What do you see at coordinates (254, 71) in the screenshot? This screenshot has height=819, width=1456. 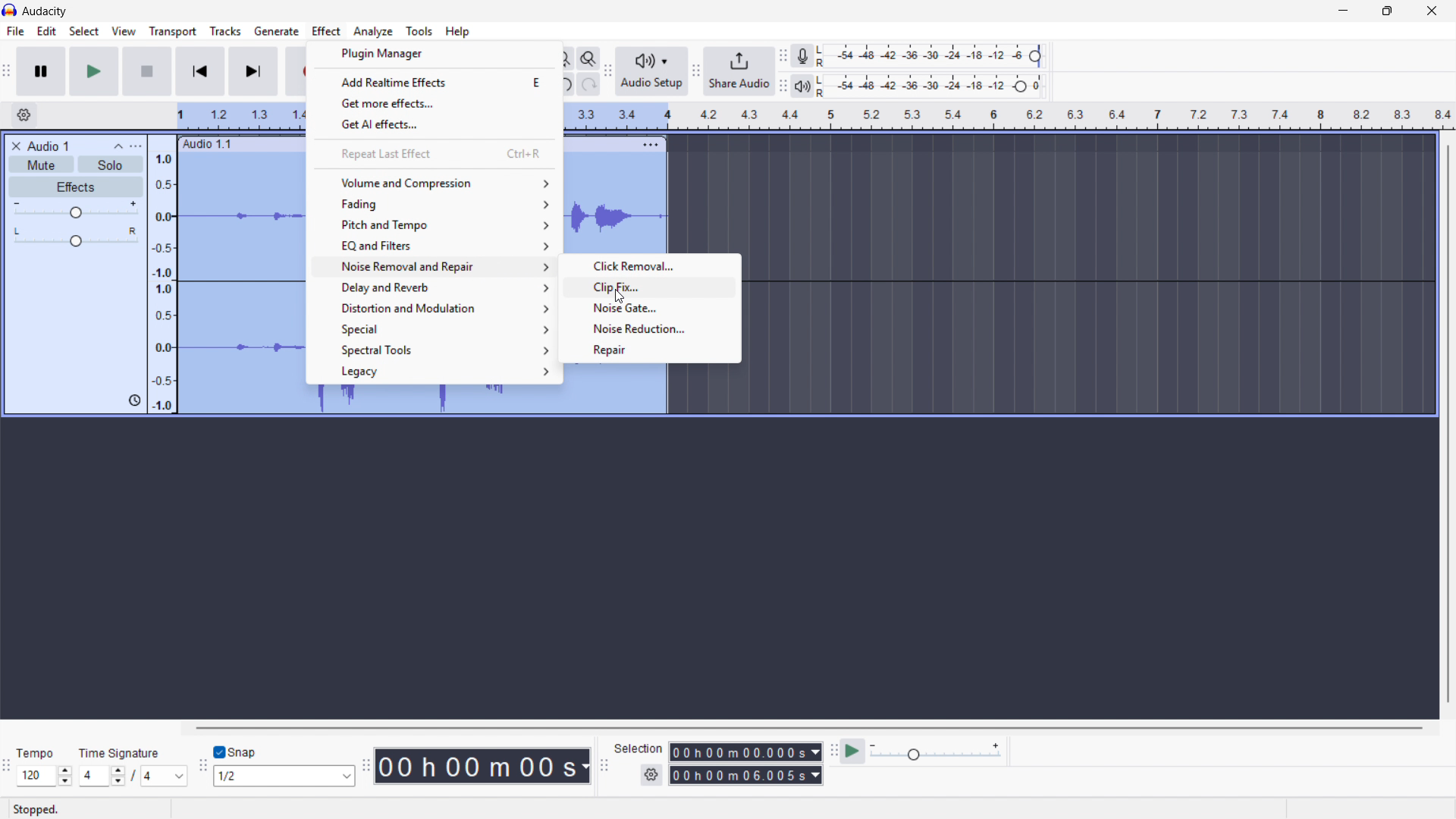 I see `Skip to end ` at bounding box center [254, 71].